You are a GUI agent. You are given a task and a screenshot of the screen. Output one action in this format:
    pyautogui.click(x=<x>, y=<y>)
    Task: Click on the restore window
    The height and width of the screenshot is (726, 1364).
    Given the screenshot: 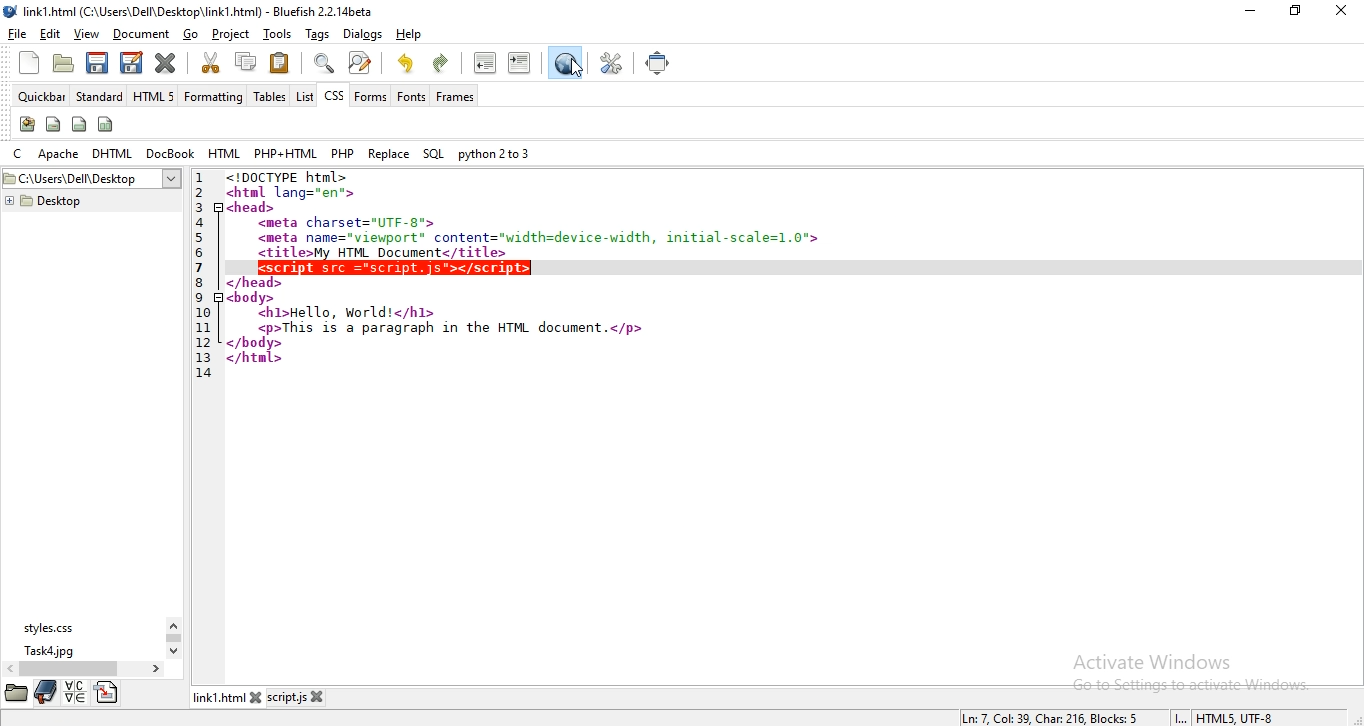 What is the action you would take?
    pyautogui.click(x=1292, y=10)
    